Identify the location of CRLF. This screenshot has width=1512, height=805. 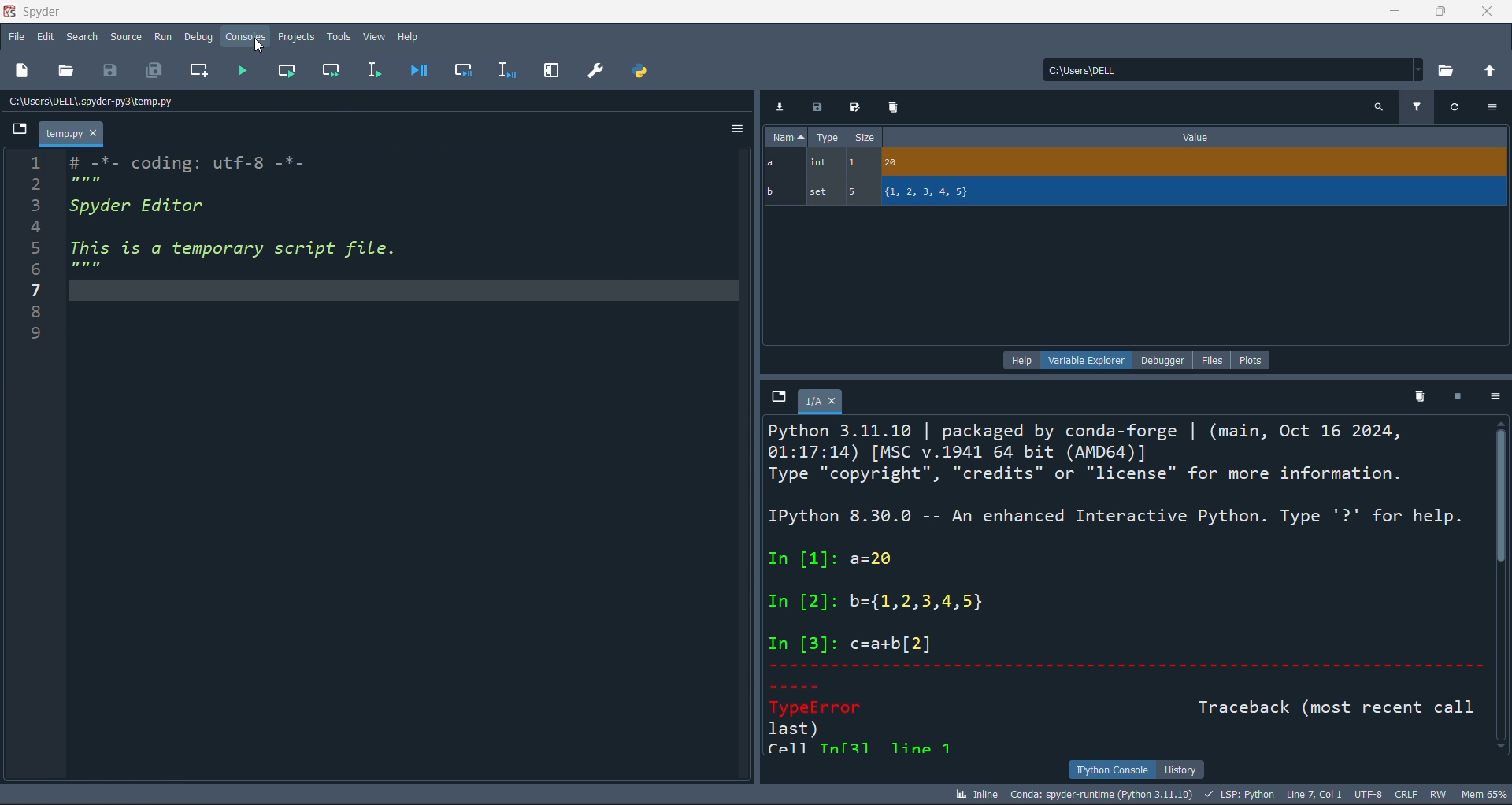
(1405, 794).